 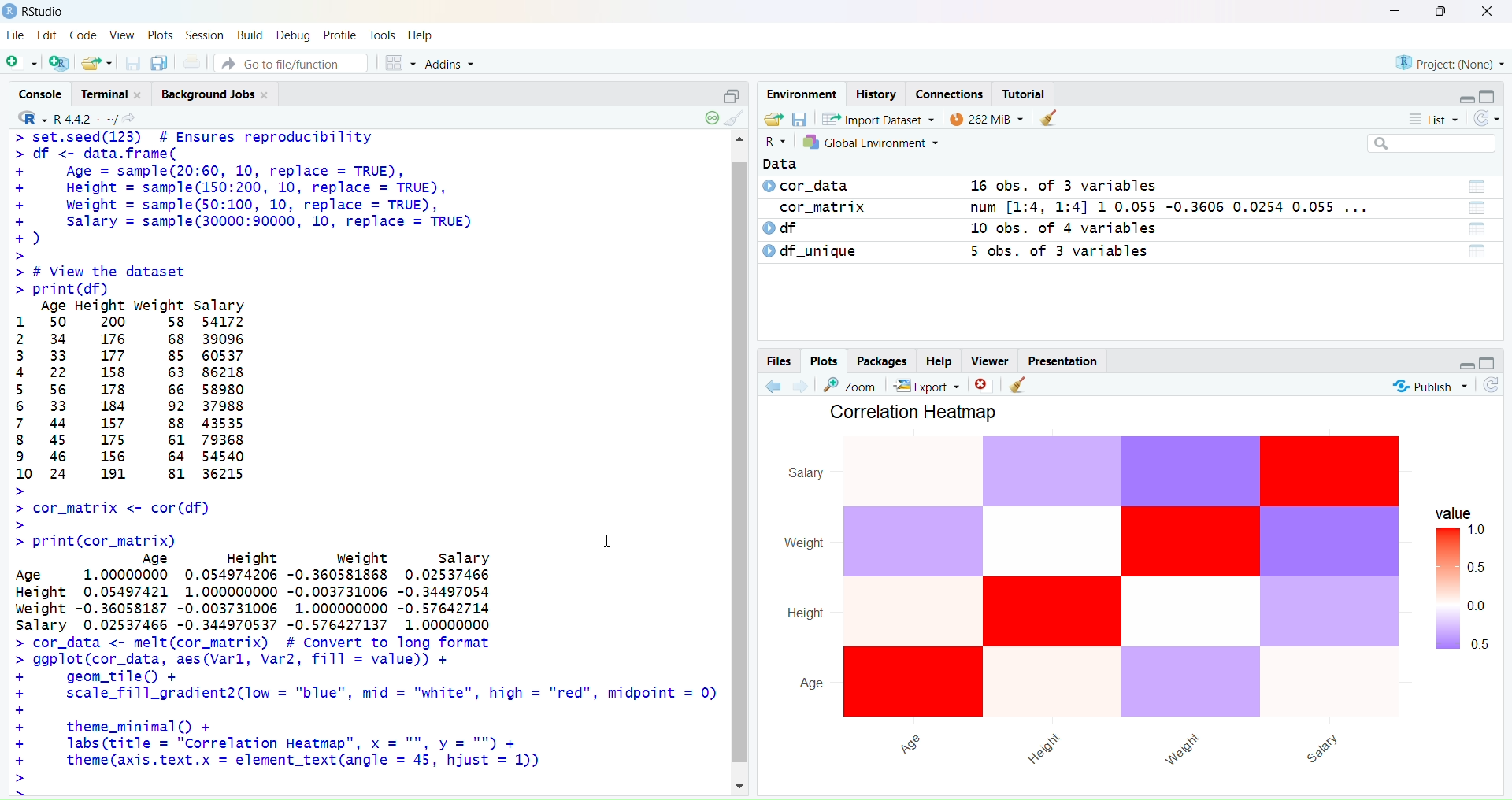 What do you see at coordinates (82, 36) in the screenshot?
I see `Code` at bounding box center [82, 36].